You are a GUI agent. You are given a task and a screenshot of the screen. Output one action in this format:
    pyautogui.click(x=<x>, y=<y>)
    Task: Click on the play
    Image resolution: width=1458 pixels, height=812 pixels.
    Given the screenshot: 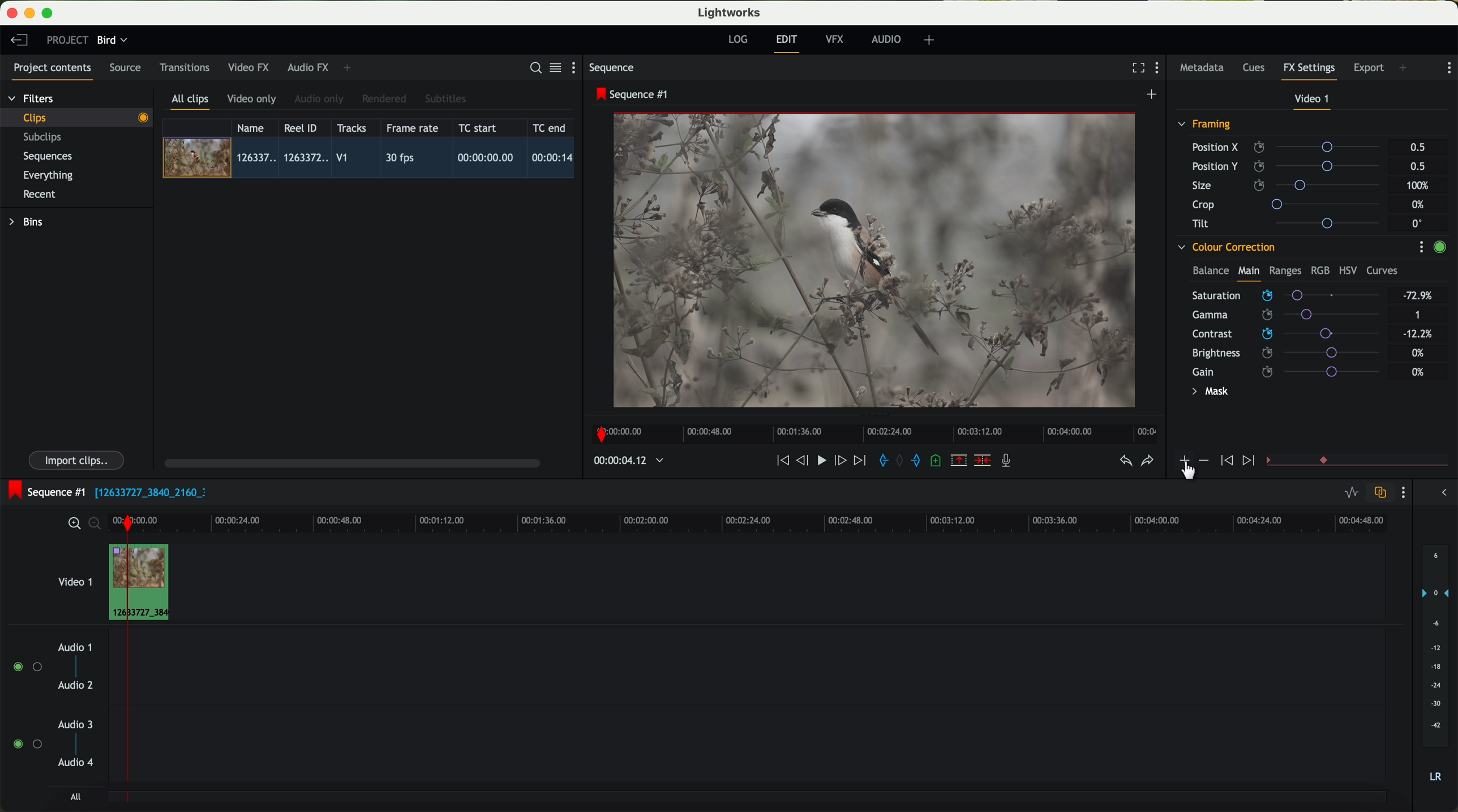 What is the action you would take?
    pyautogui.click(x=821, y=459)
    